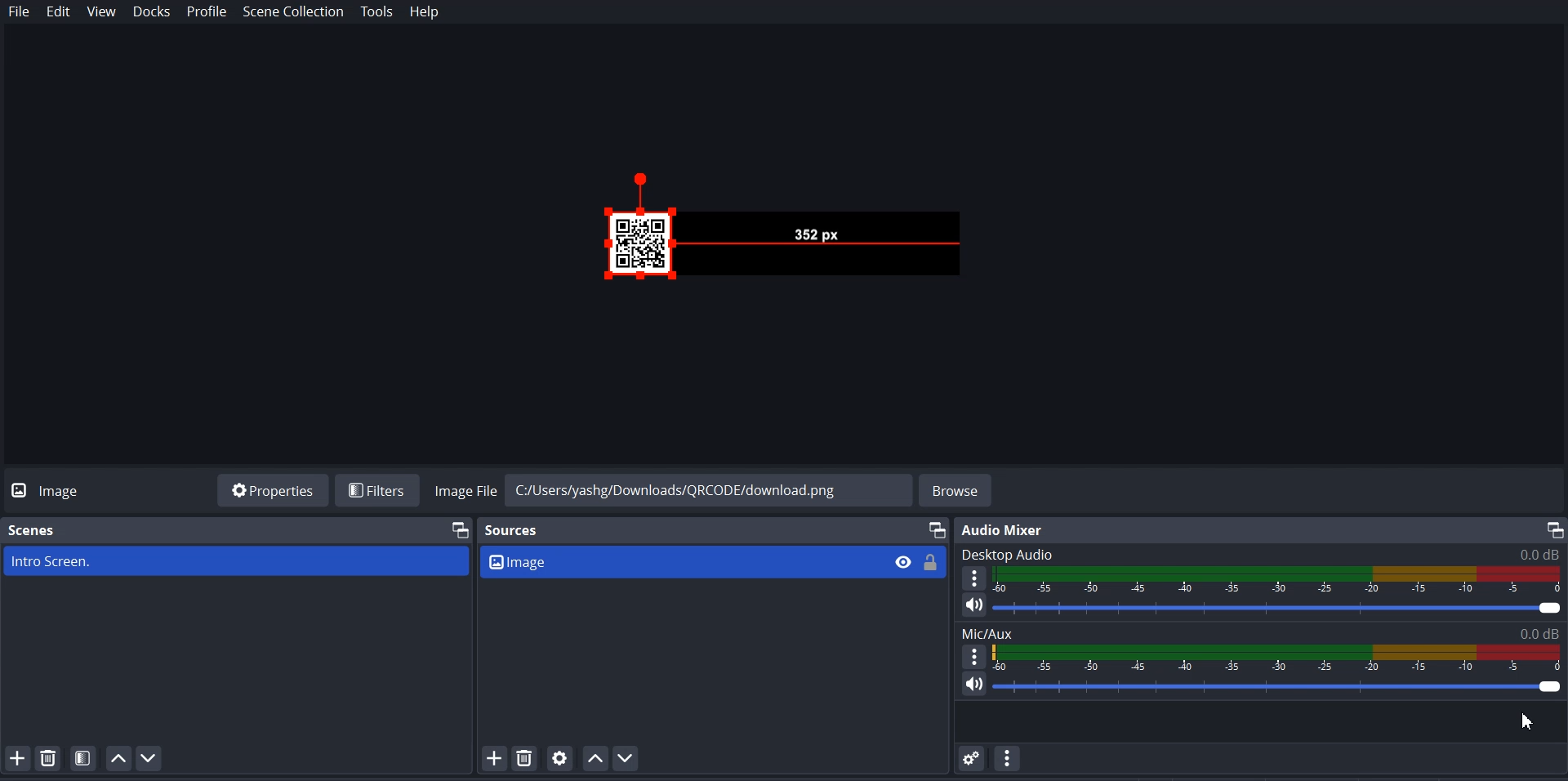 This screenshot has width=1568, height=781. Describe the element at coordinates (272, 489) in the screenshot. I see `Properties` at that location.